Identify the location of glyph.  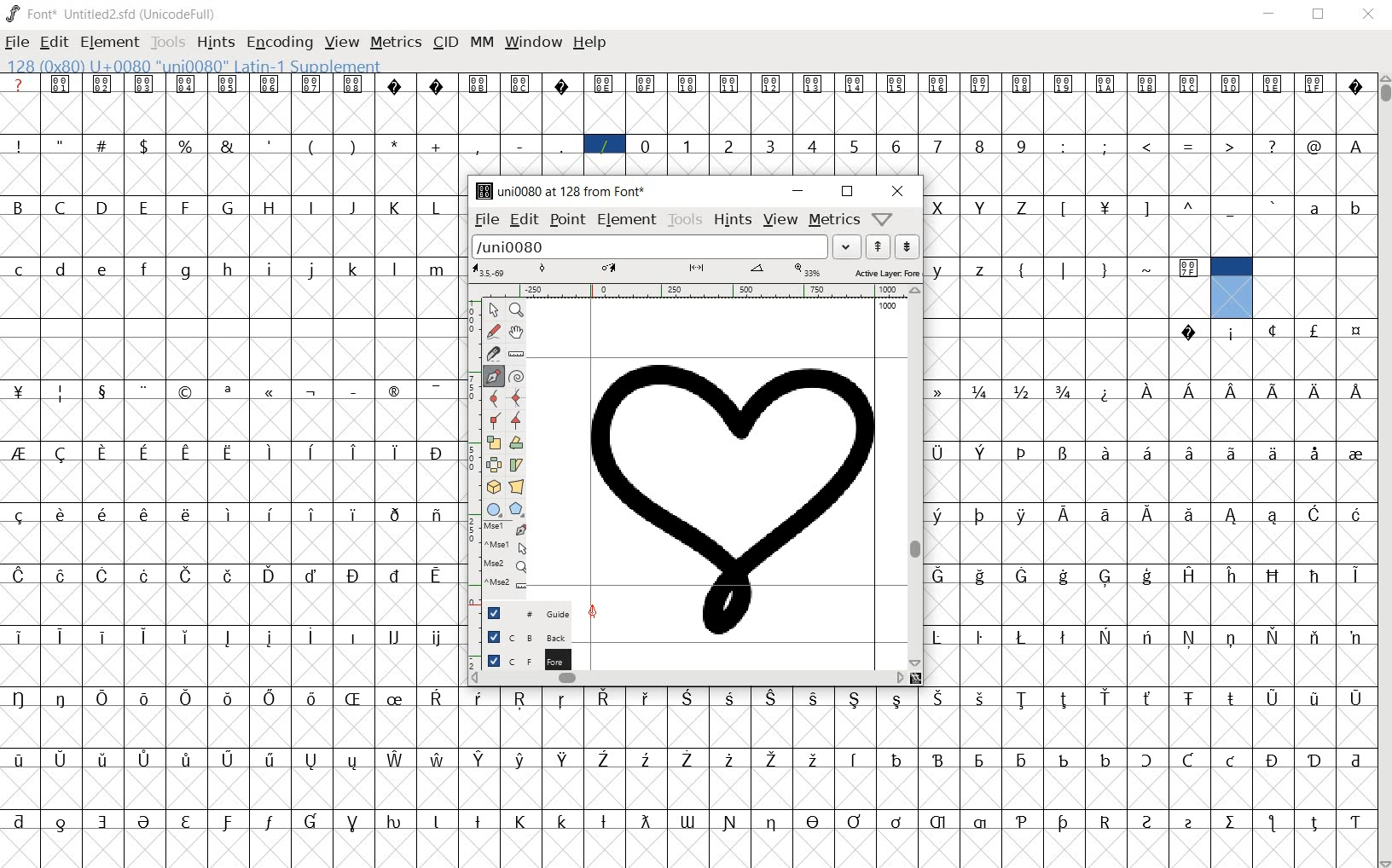
(60, 207).